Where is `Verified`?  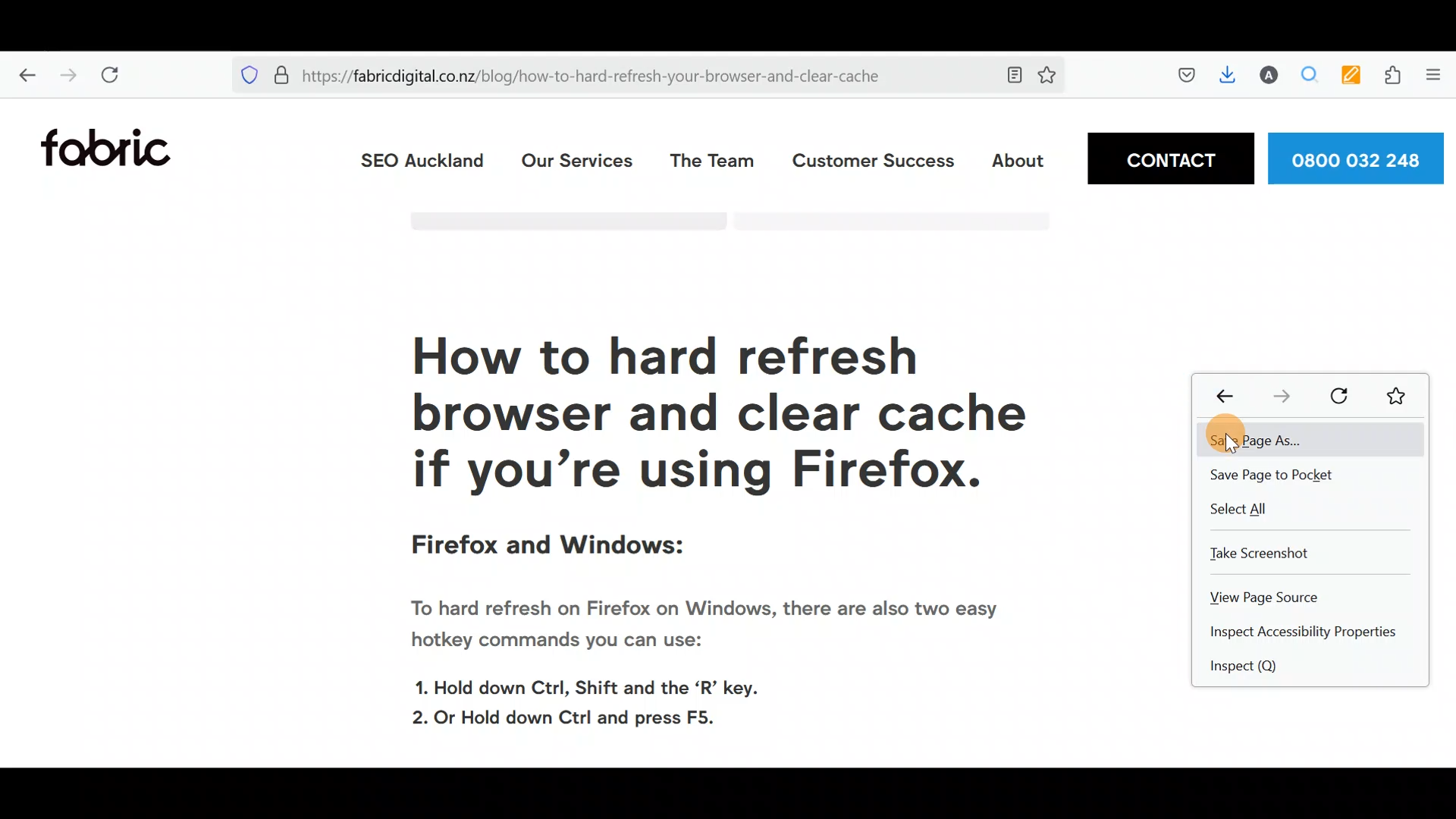 Verified is located at coordinates (283, 73).